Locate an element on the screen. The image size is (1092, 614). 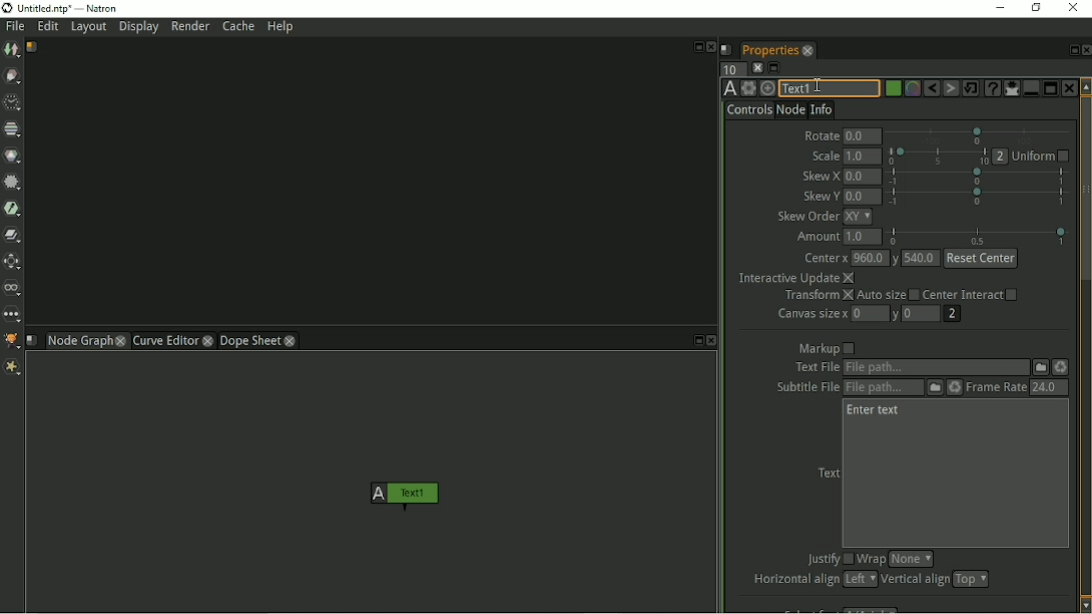
Transform is located at coordinates (817, 296).